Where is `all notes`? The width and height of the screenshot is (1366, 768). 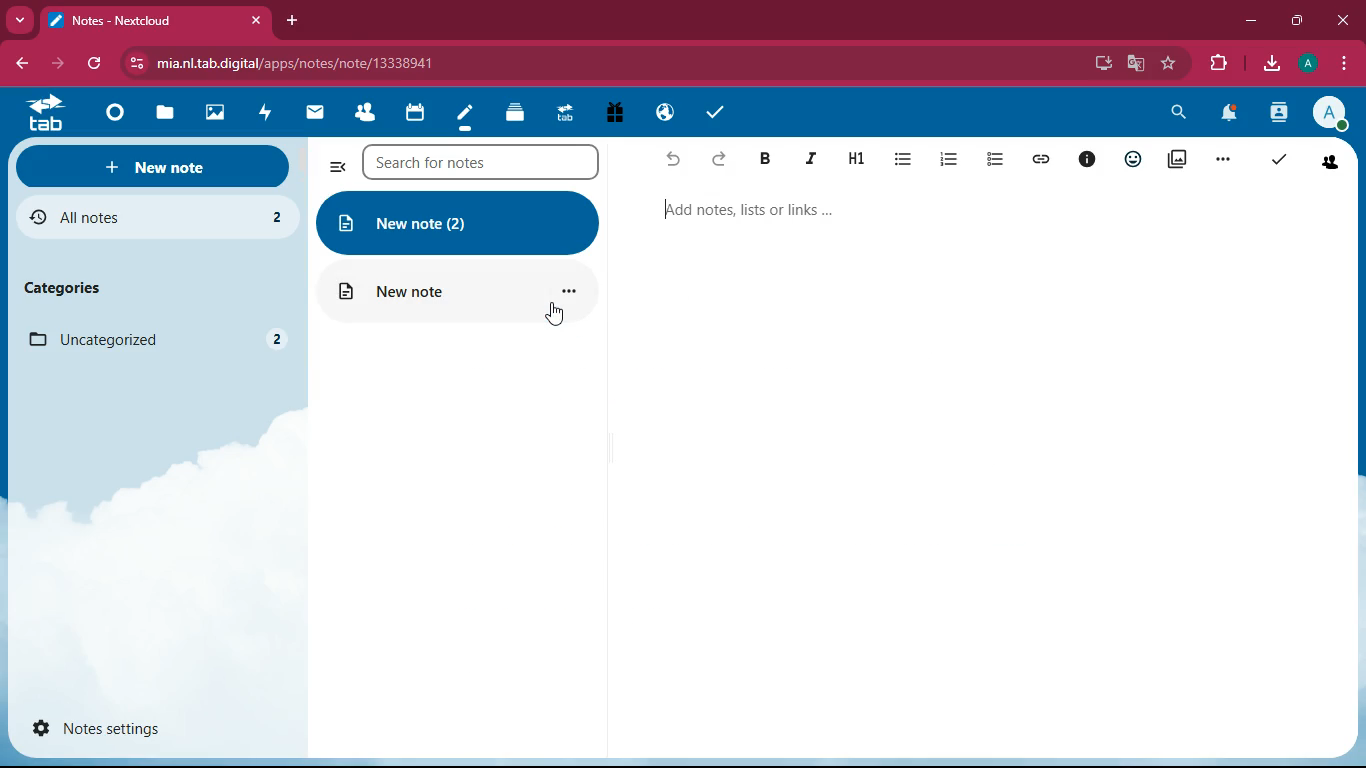 all notes is located at coordinates (149, 219).